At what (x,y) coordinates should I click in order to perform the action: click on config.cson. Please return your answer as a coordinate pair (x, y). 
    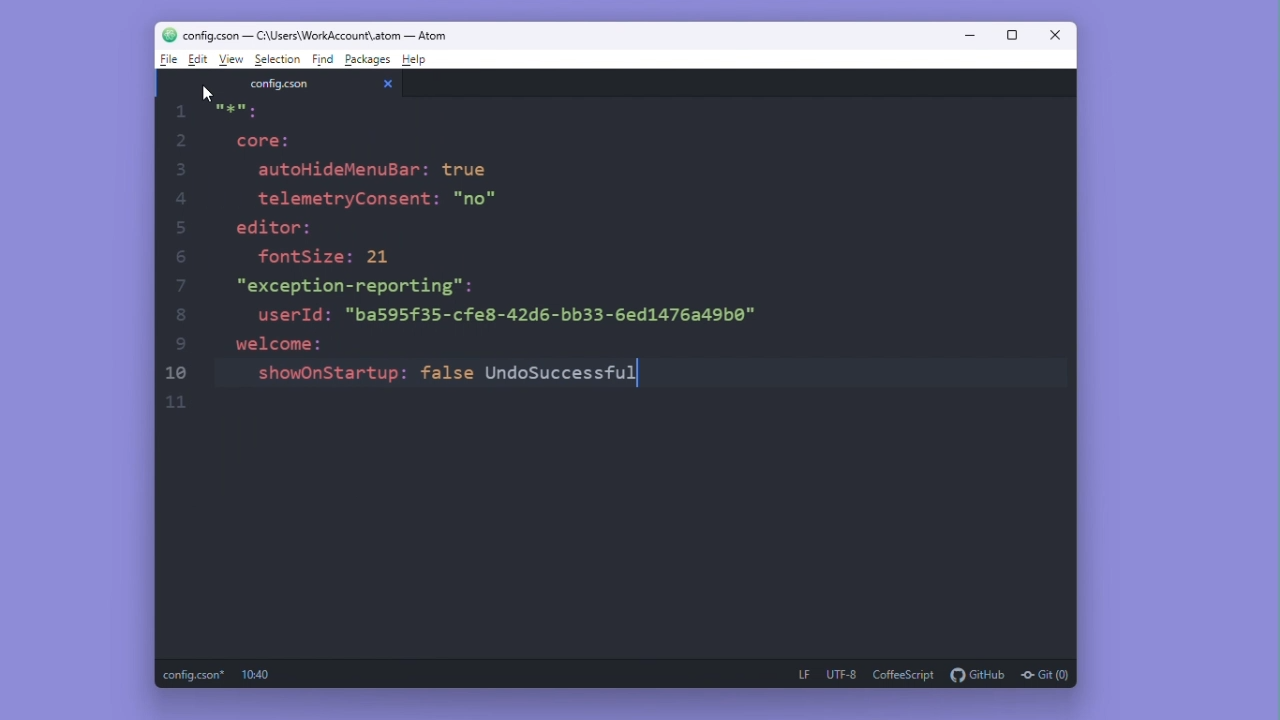
    Looking at the image, I should click on (195, 675).